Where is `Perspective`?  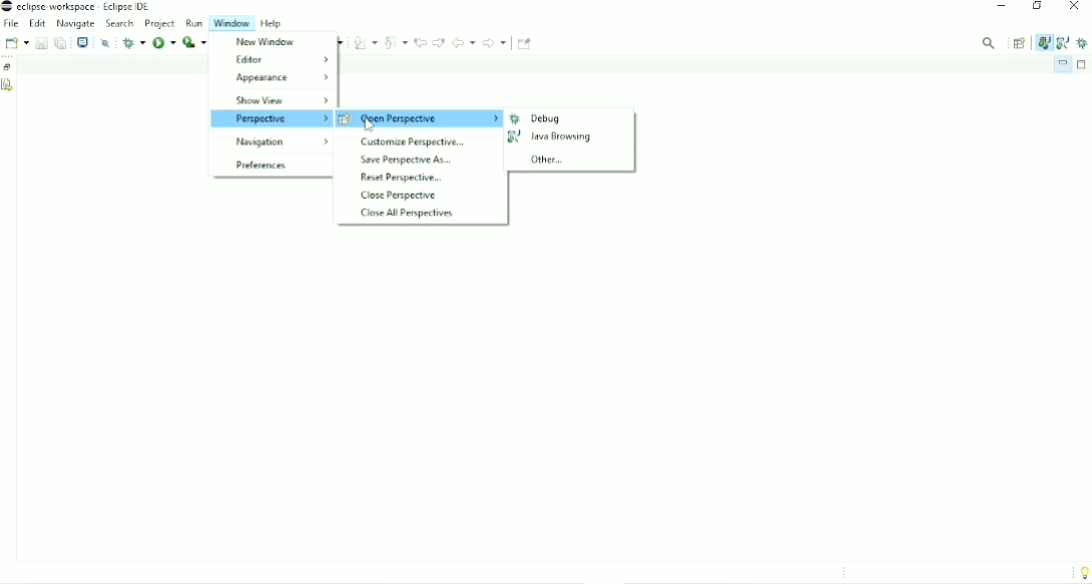
Perspective is located at coordinates (270, 119).